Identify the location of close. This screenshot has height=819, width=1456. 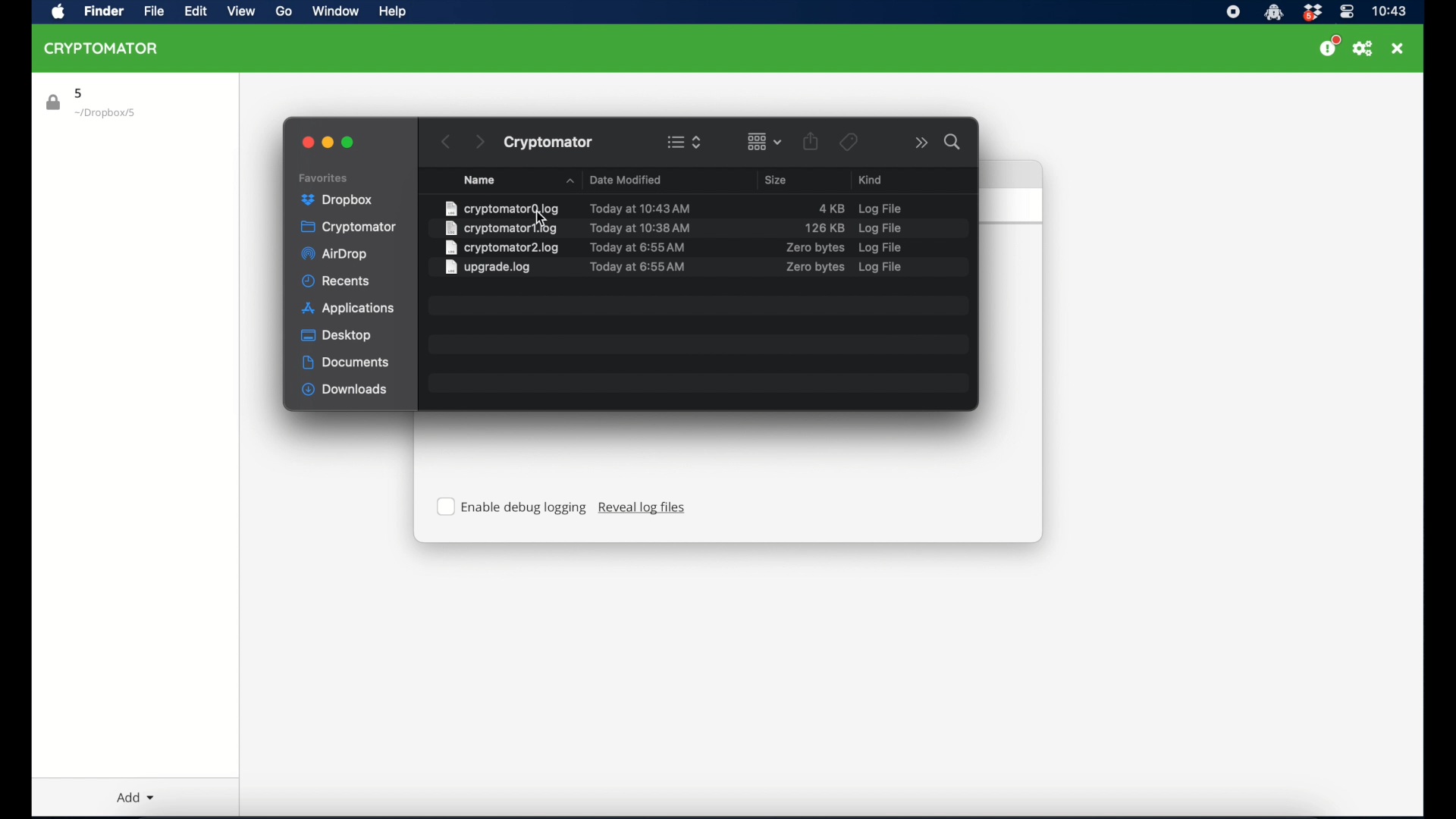
(1398, 49).